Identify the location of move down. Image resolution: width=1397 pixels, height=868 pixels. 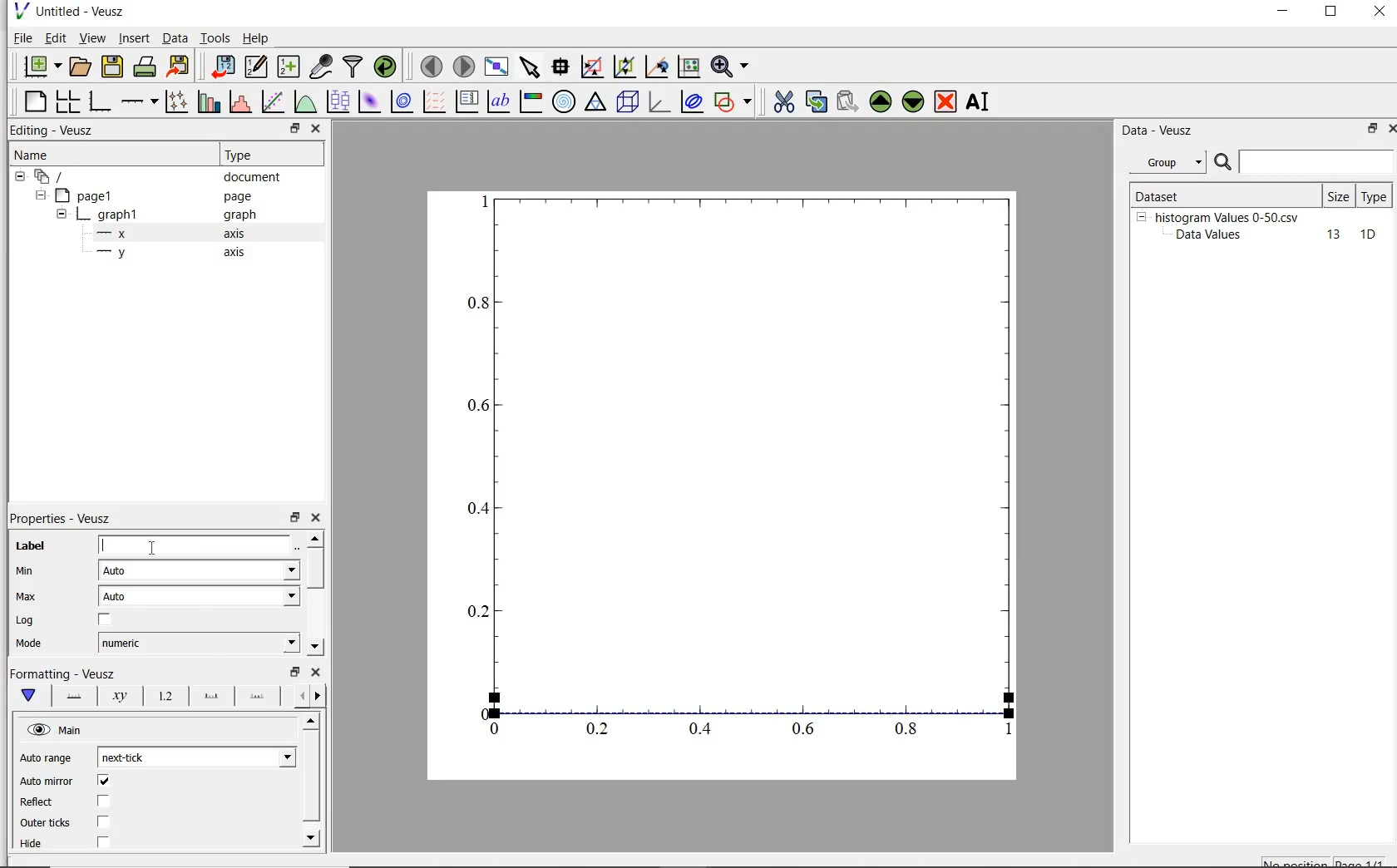
(313, 837).